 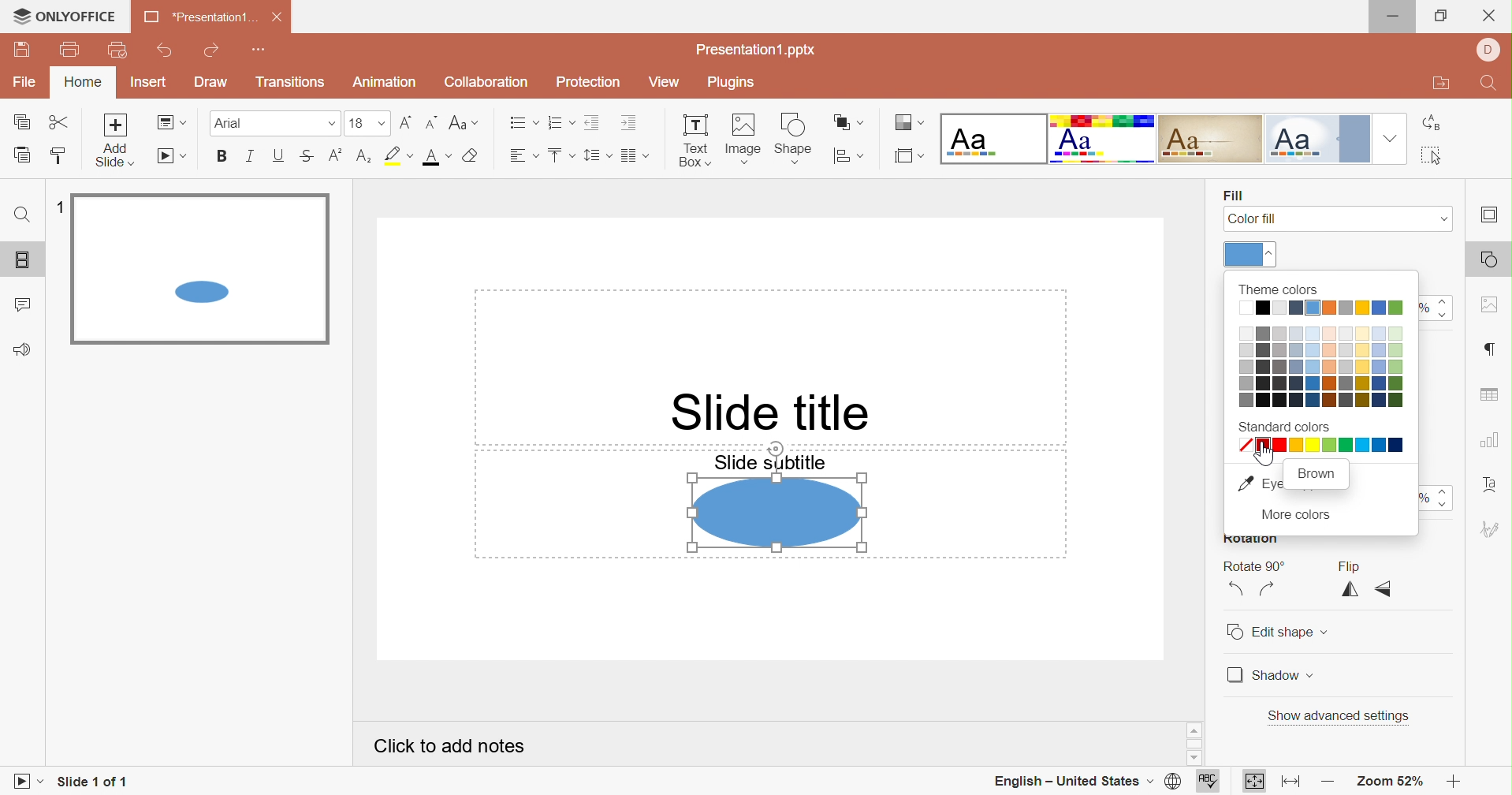 What do you see at coordinates (1349, 590) in the screenshot?
I see `Flip horizontally` at bounding box center [1349, 590].